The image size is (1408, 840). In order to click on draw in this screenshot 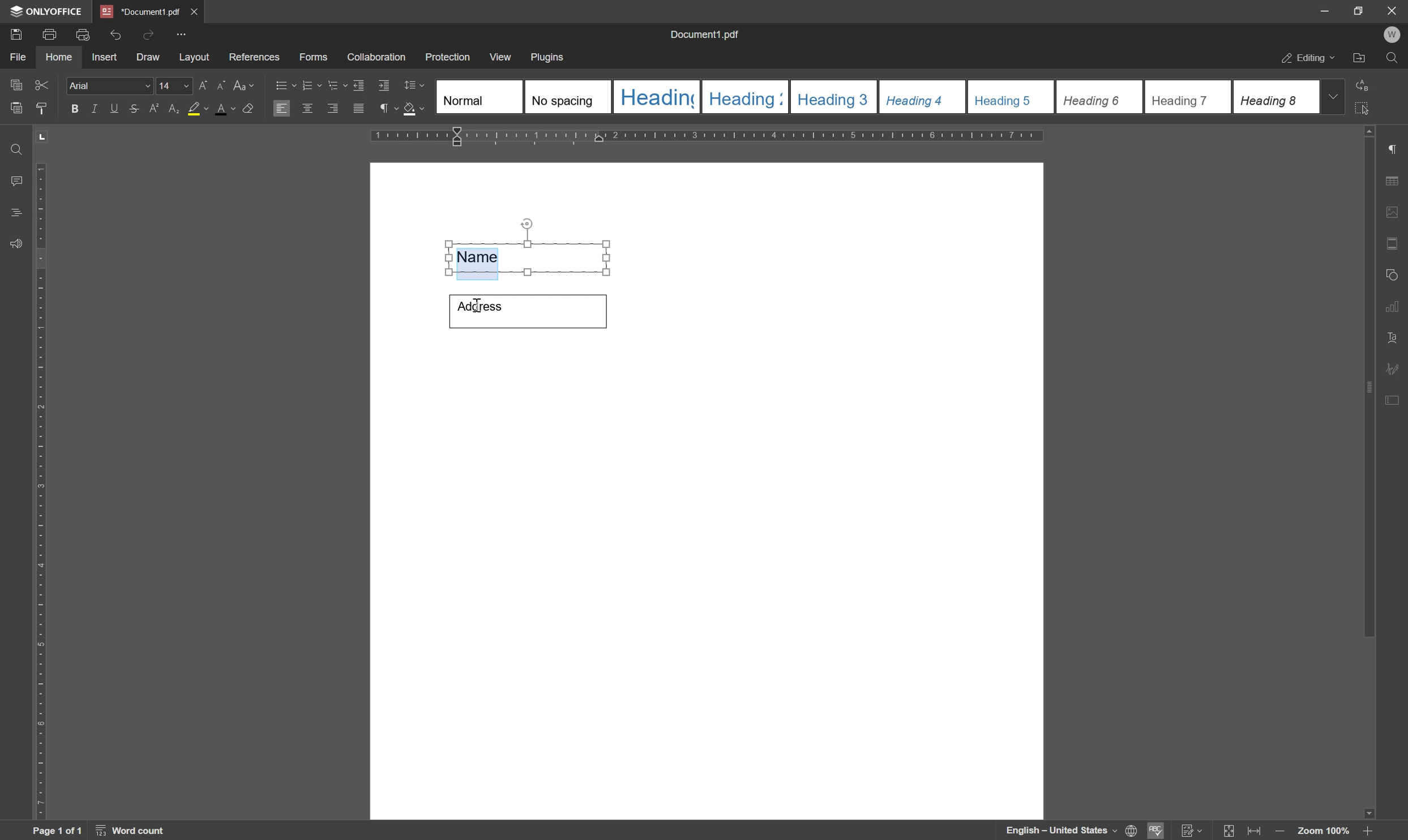, I will do `click(148, 58)`.